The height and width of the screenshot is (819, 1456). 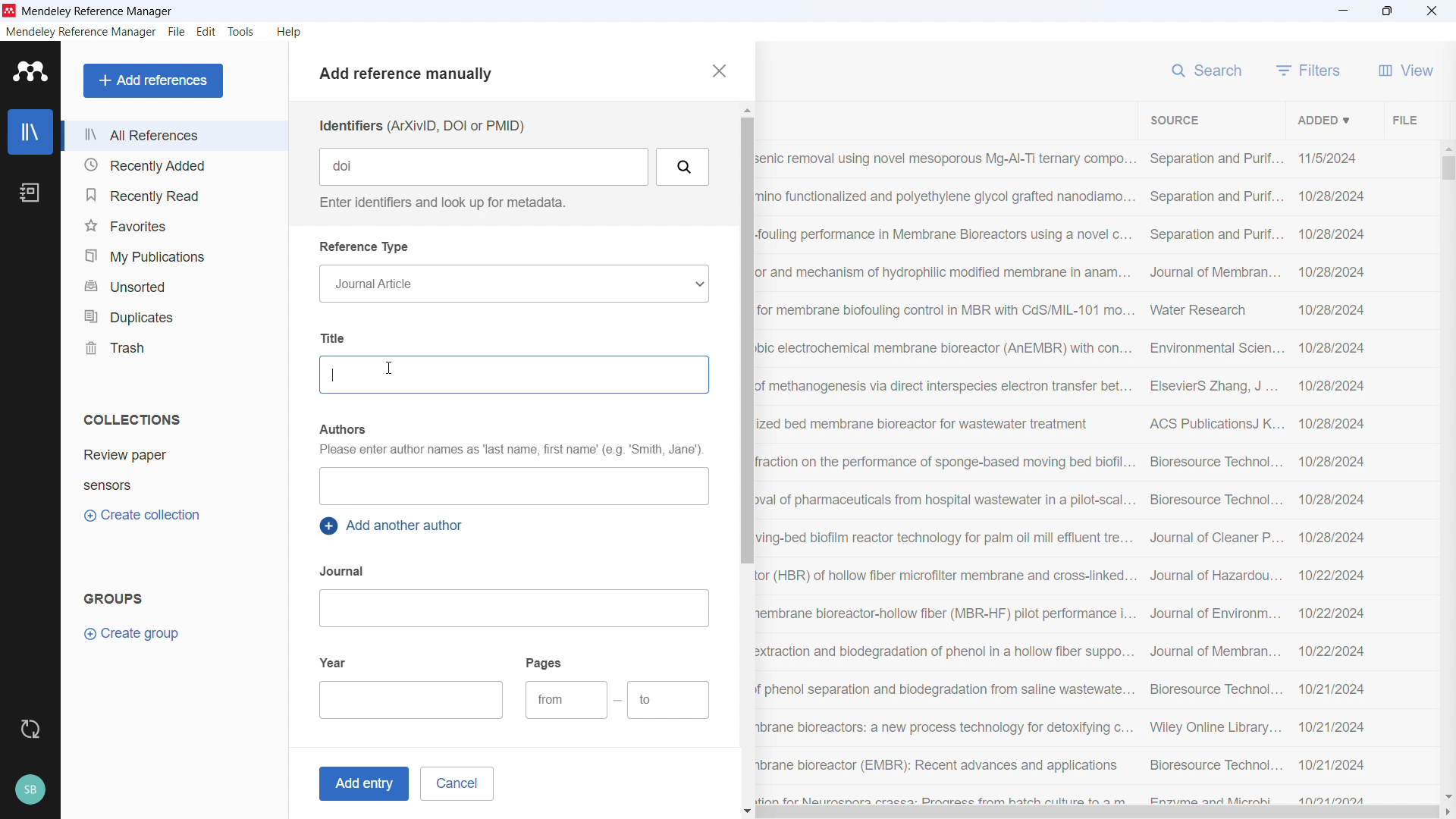 I want to click on Add references manually , so click(x=412, y=76).